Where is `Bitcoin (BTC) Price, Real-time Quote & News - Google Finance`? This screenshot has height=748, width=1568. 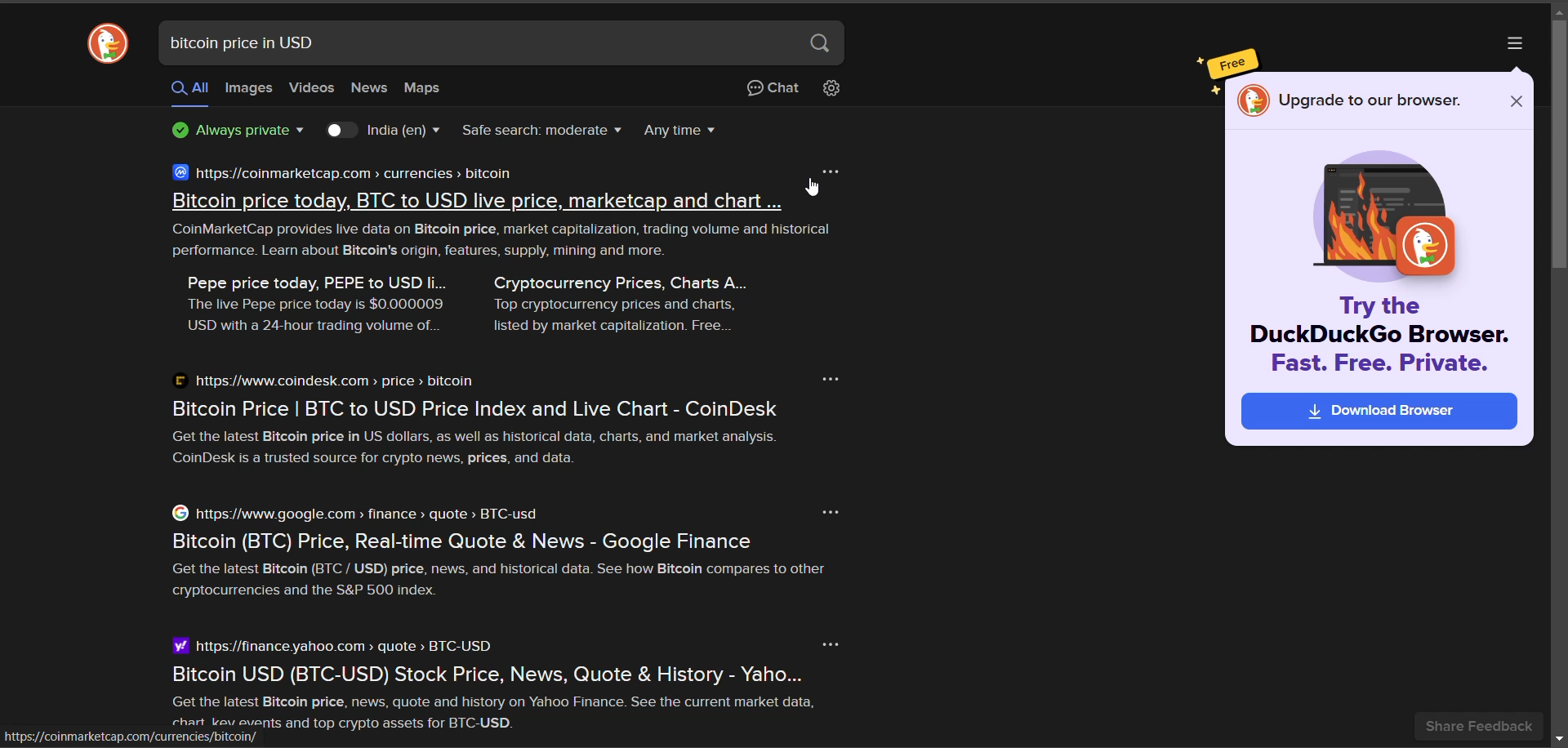 Bitcoin (BTC) Price, Real-time Quote & News - Google Finance is located at coordinates (466, 540).